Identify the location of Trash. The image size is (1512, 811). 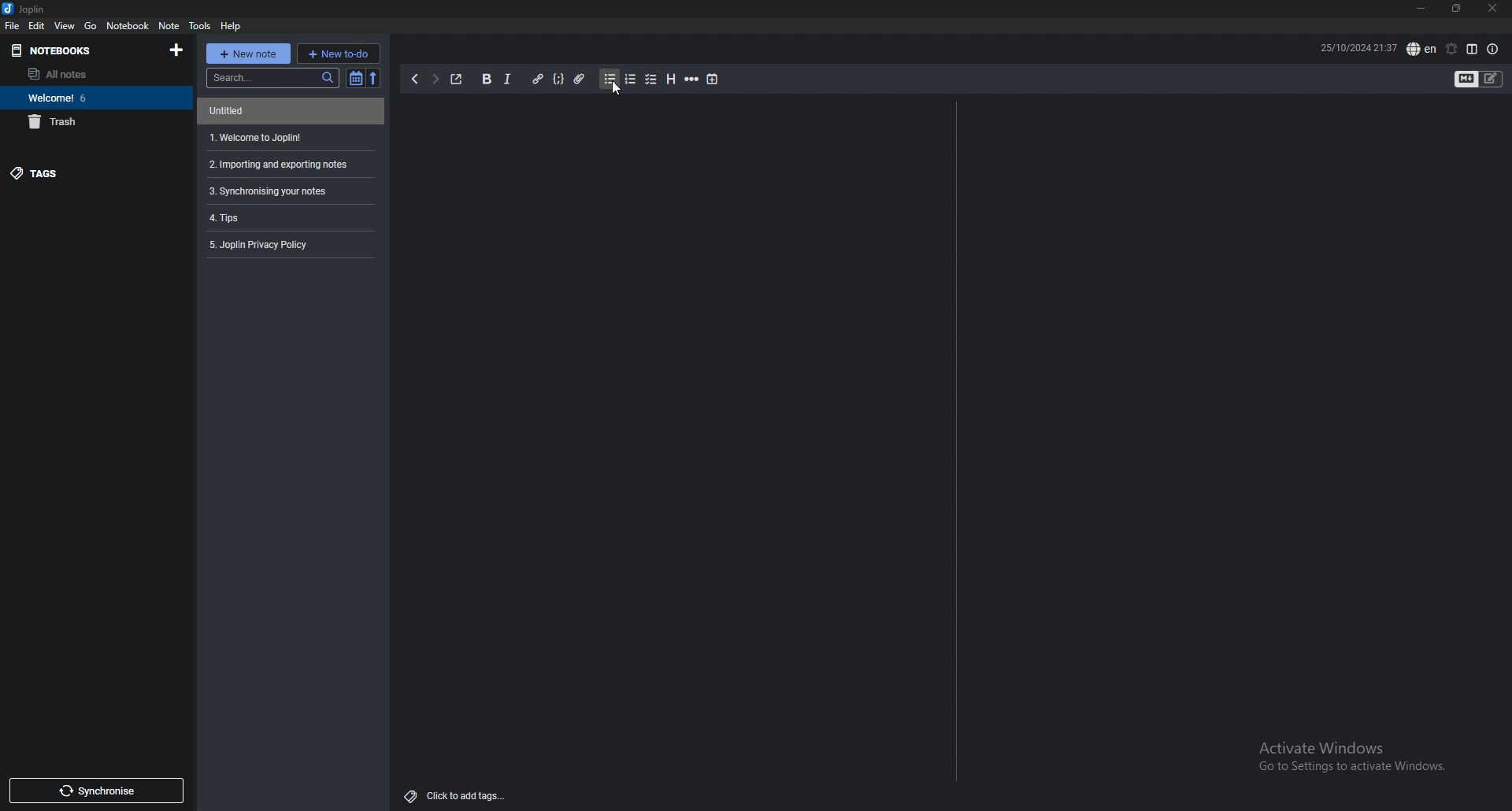
(55, 120).